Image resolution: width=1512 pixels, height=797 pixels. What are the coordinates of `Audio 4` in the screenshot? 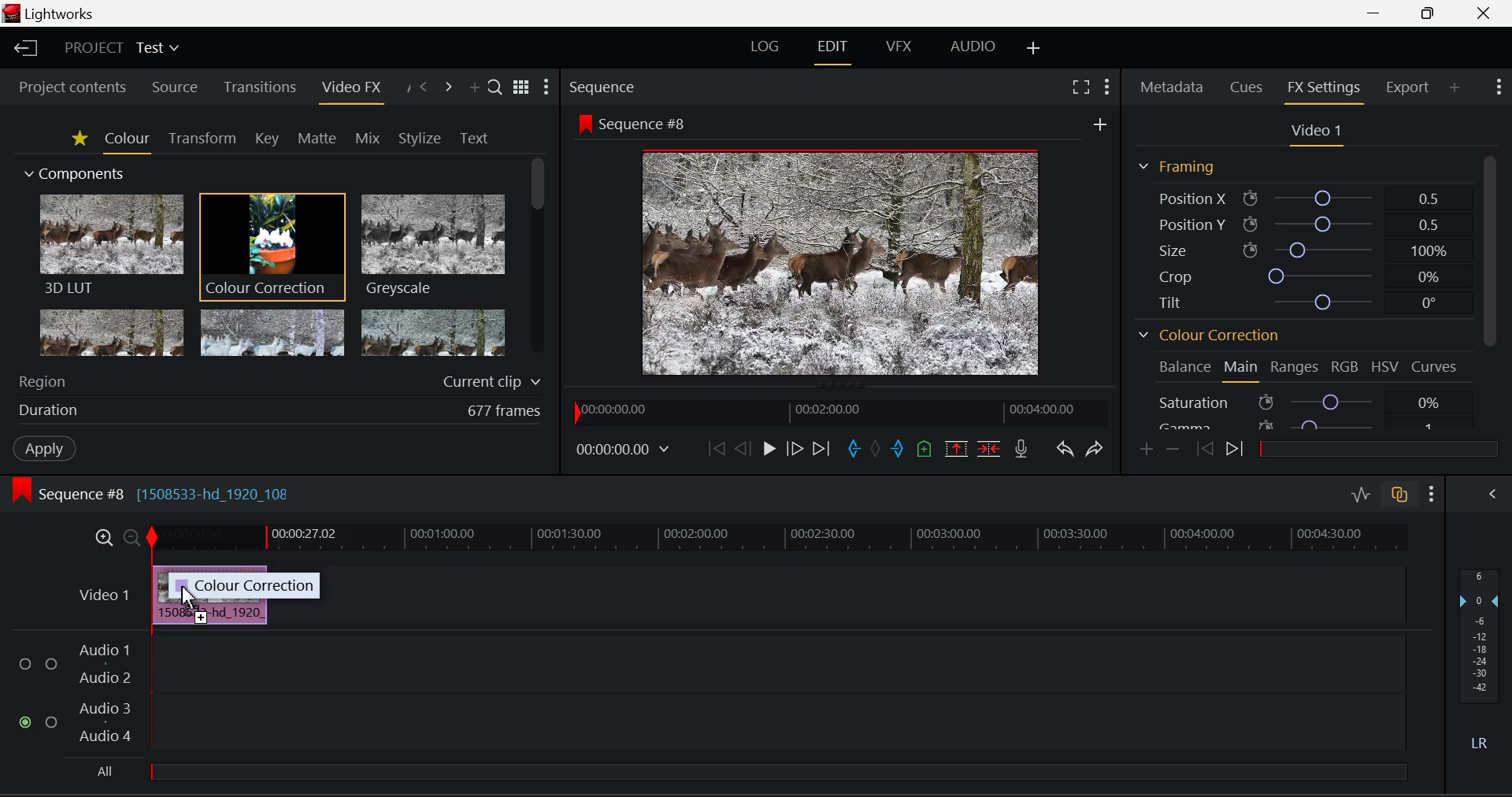 It's located at (107, 739).